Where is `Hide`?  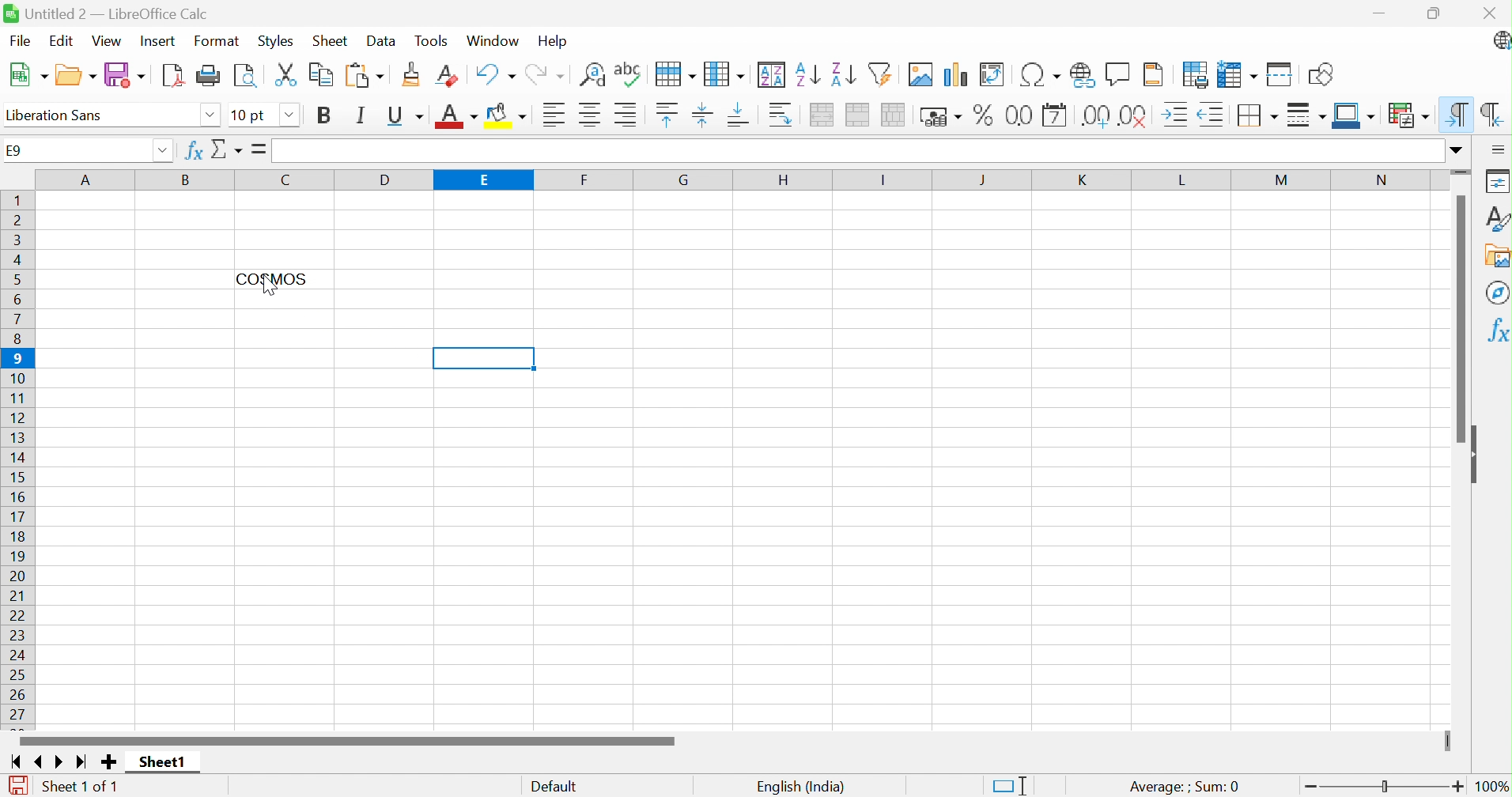
Hide is located at coordinates (1477, 455).